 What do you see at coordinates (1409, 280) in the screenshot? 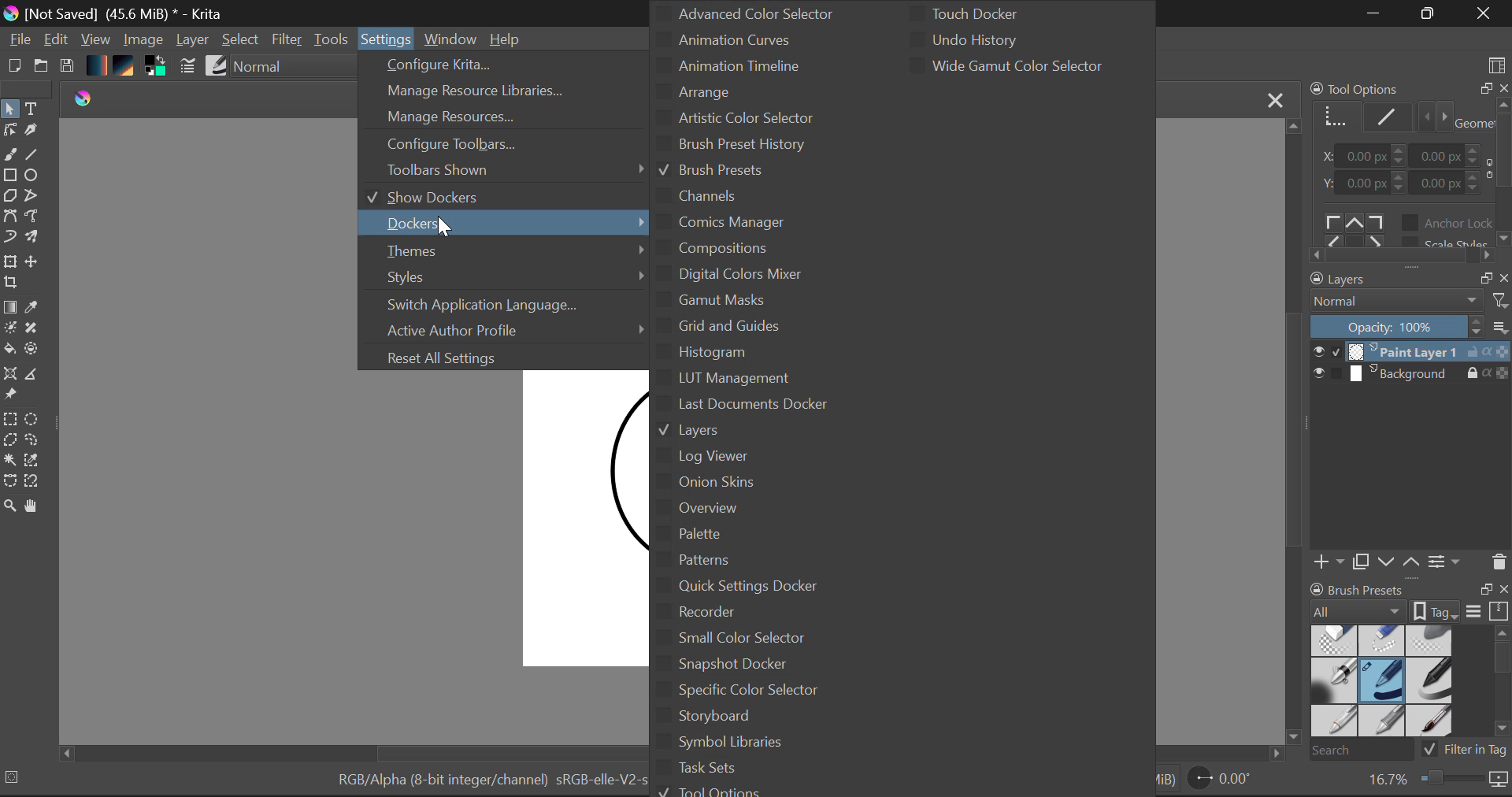
I see `Layers Docket Tab` at bounding box center [1409, 280].